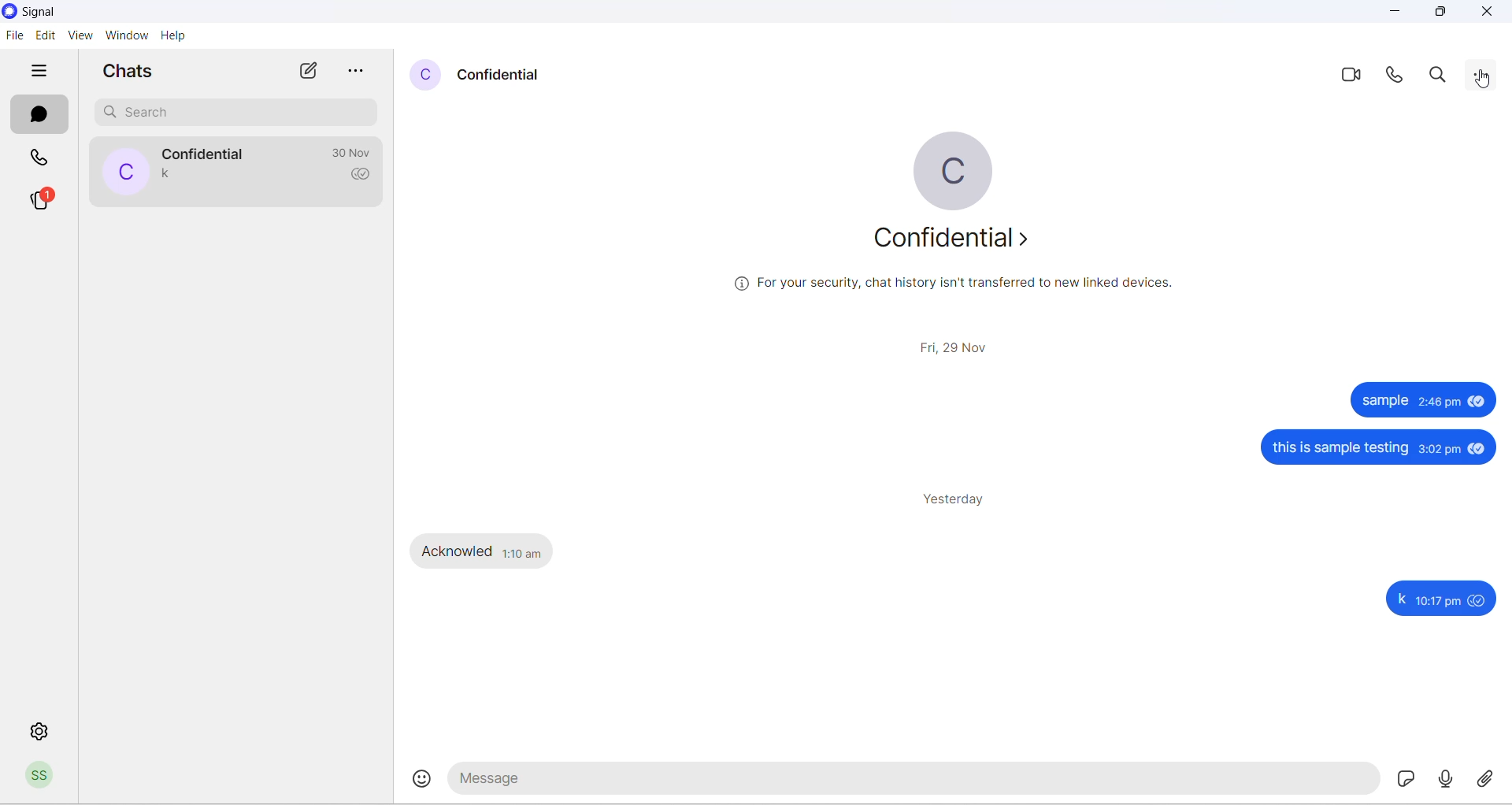 The height and width of the screenshot is (805, 1512). What do you see at coordinates (958, 347) in the screenshot?
I see `date` at bounding box center [958, 347].